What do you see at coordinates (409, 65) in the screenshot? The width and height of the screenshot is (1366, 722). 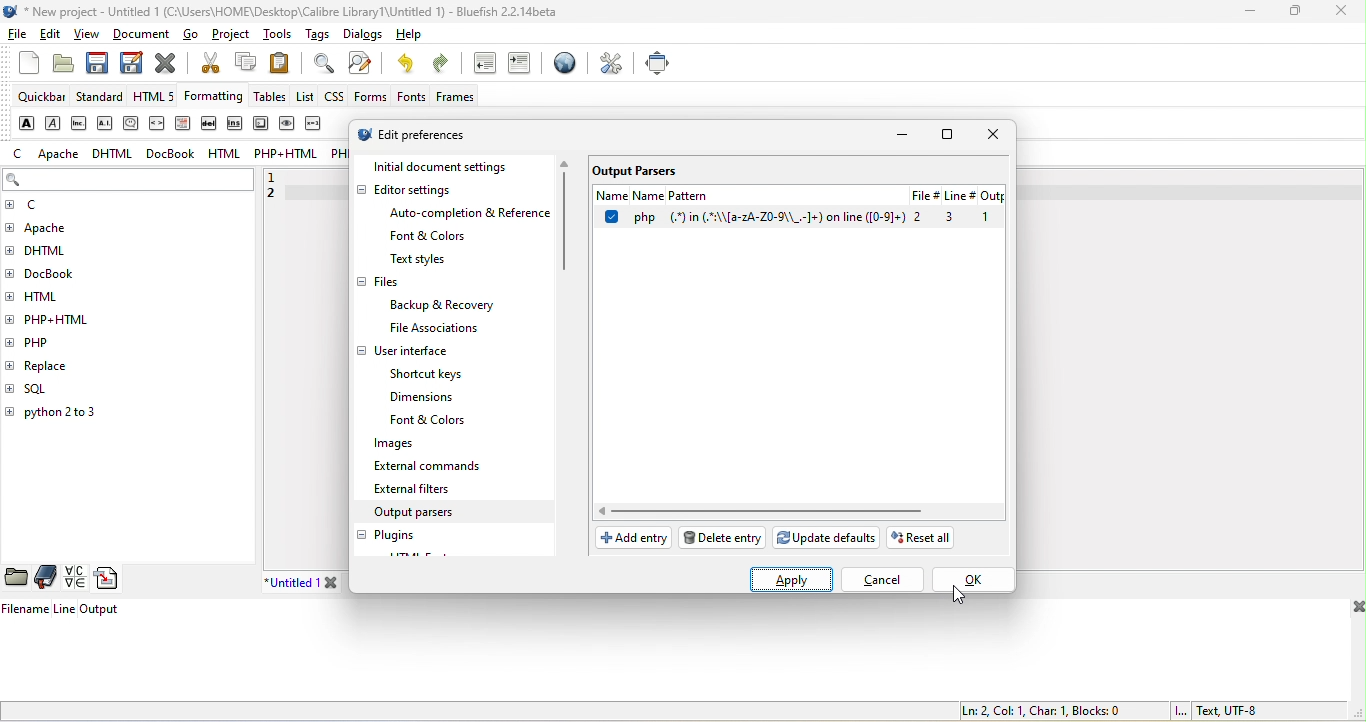 I see `undo` at bounding box center [409, 65].